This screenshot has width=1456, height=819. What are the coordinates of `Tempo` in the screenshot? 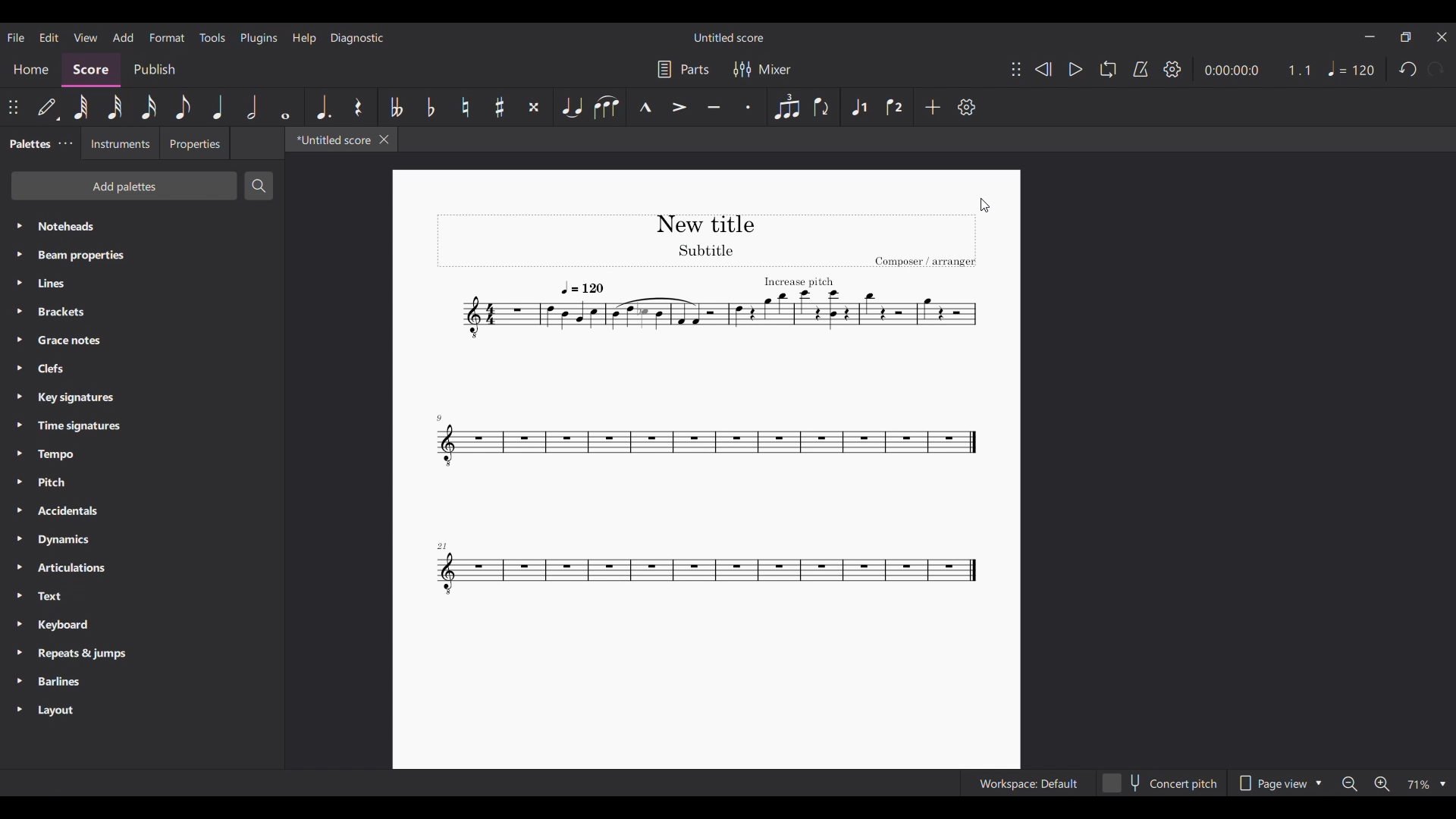 It's located at (1351, 68).